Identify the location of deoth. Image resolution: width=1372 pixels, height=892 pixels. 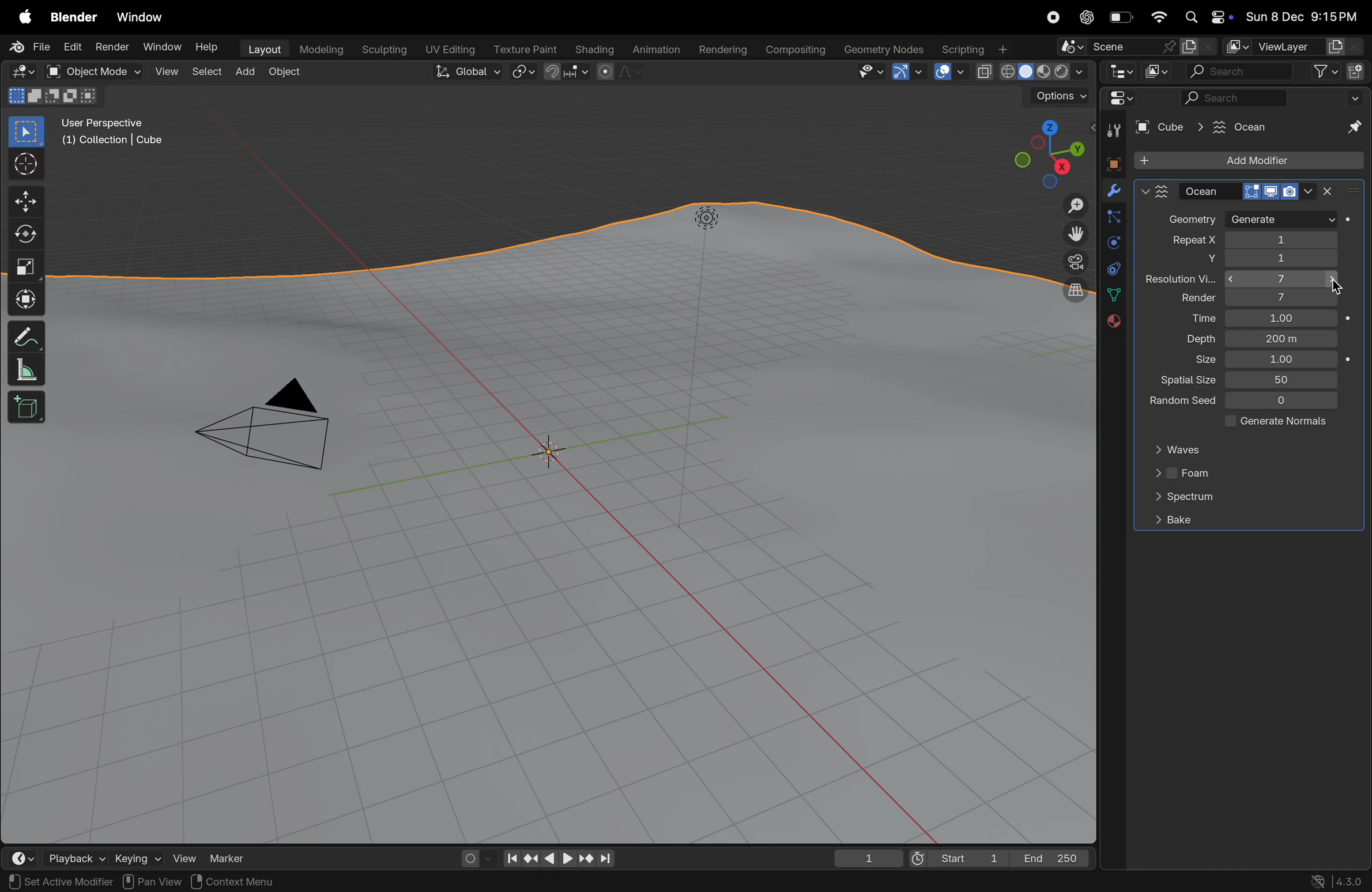
(1197, 339).